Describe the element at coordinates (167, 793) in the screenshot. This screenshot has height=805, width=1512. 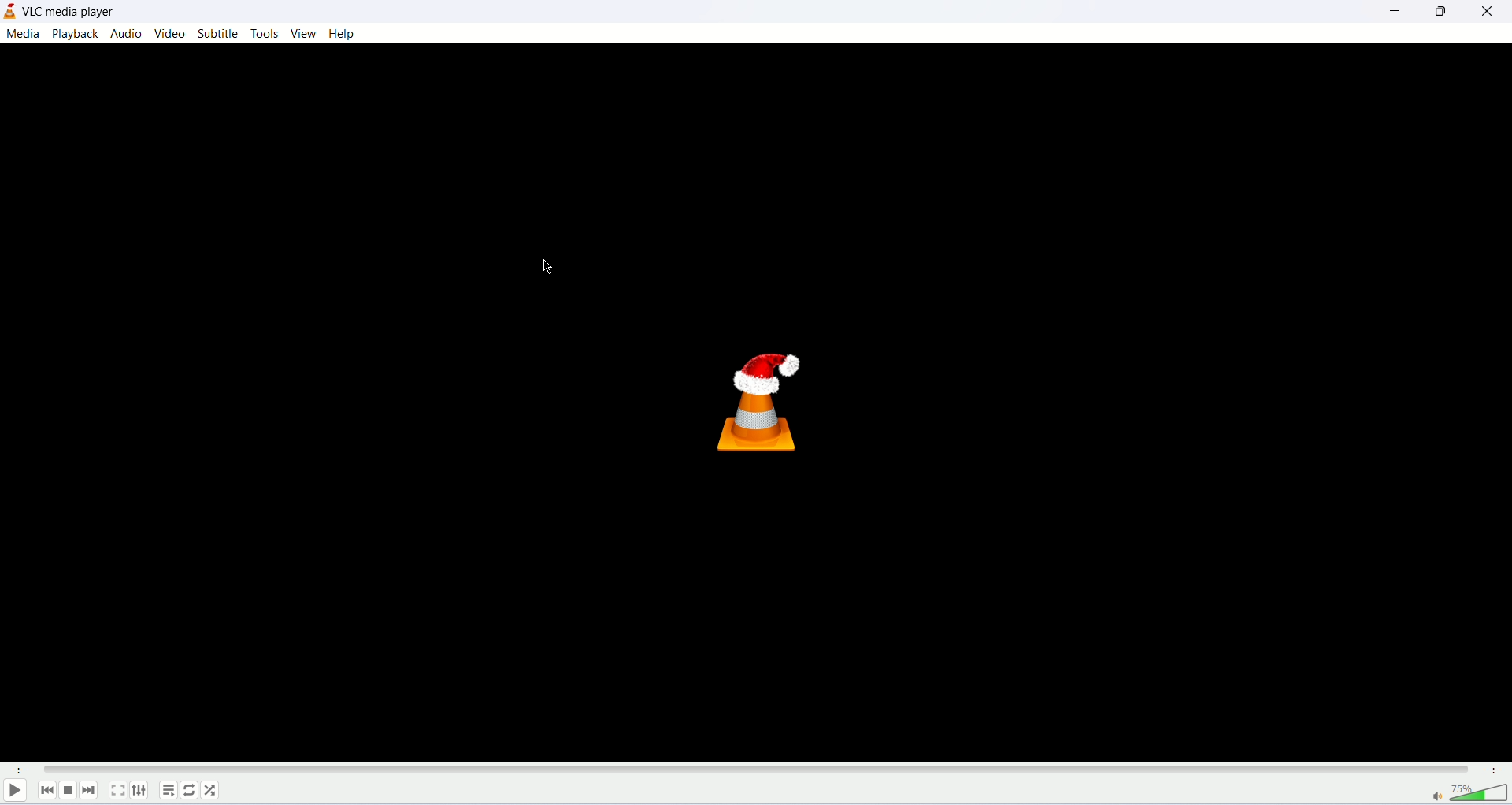
I see `playlist` at that location.